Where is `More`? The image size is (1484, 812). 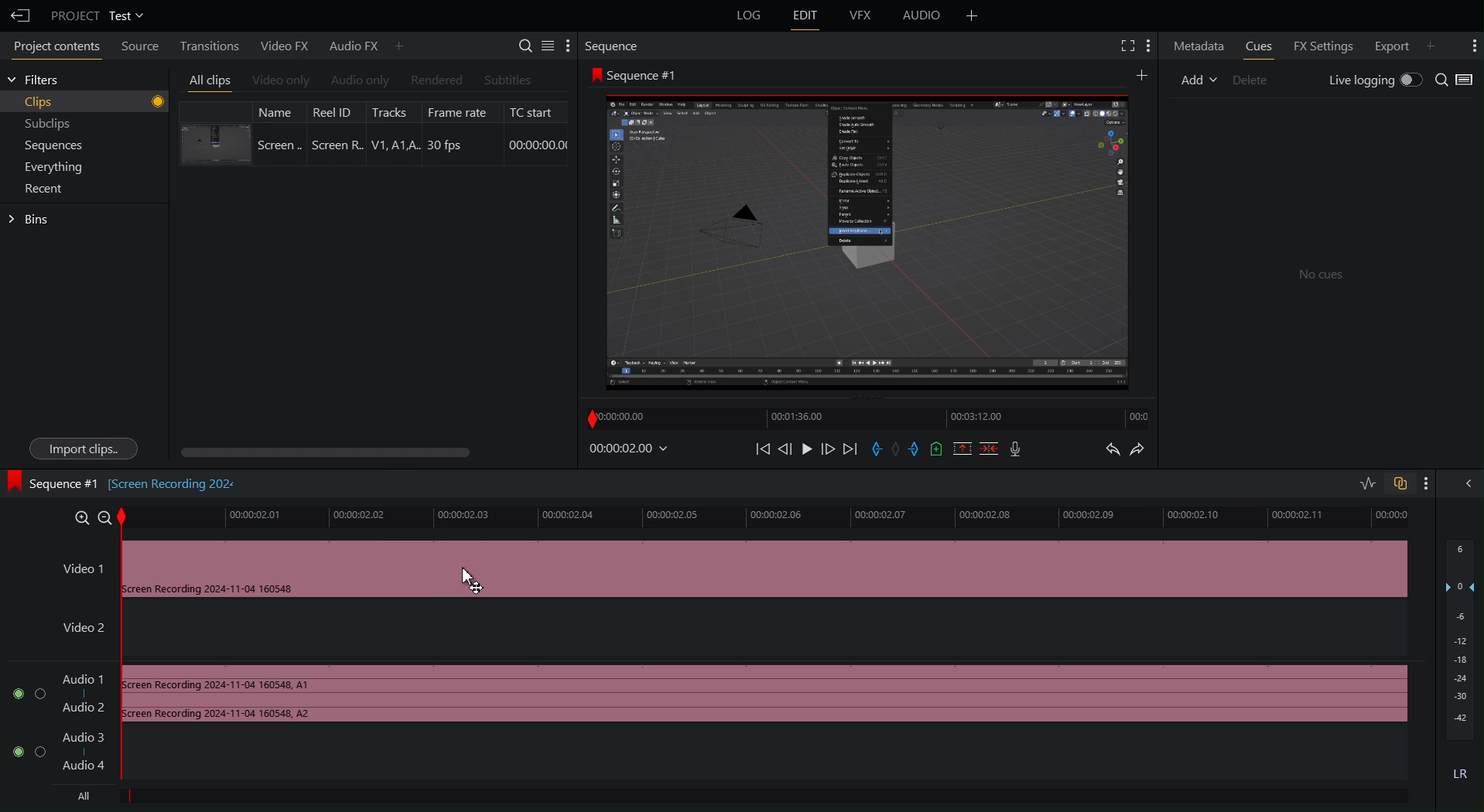 More is located at coordinates (1151, 47).